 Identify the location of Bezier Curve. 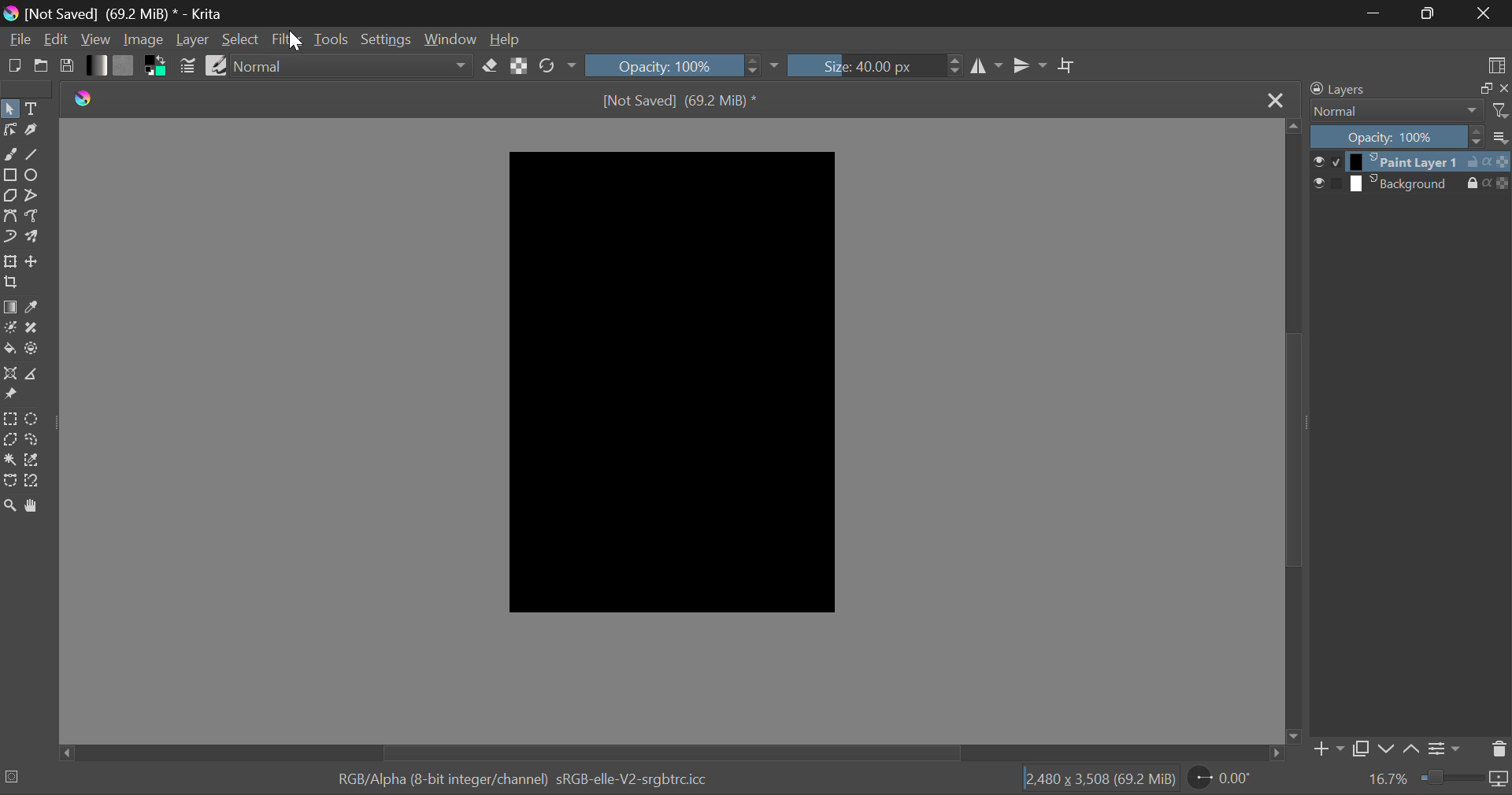
(11, 217).